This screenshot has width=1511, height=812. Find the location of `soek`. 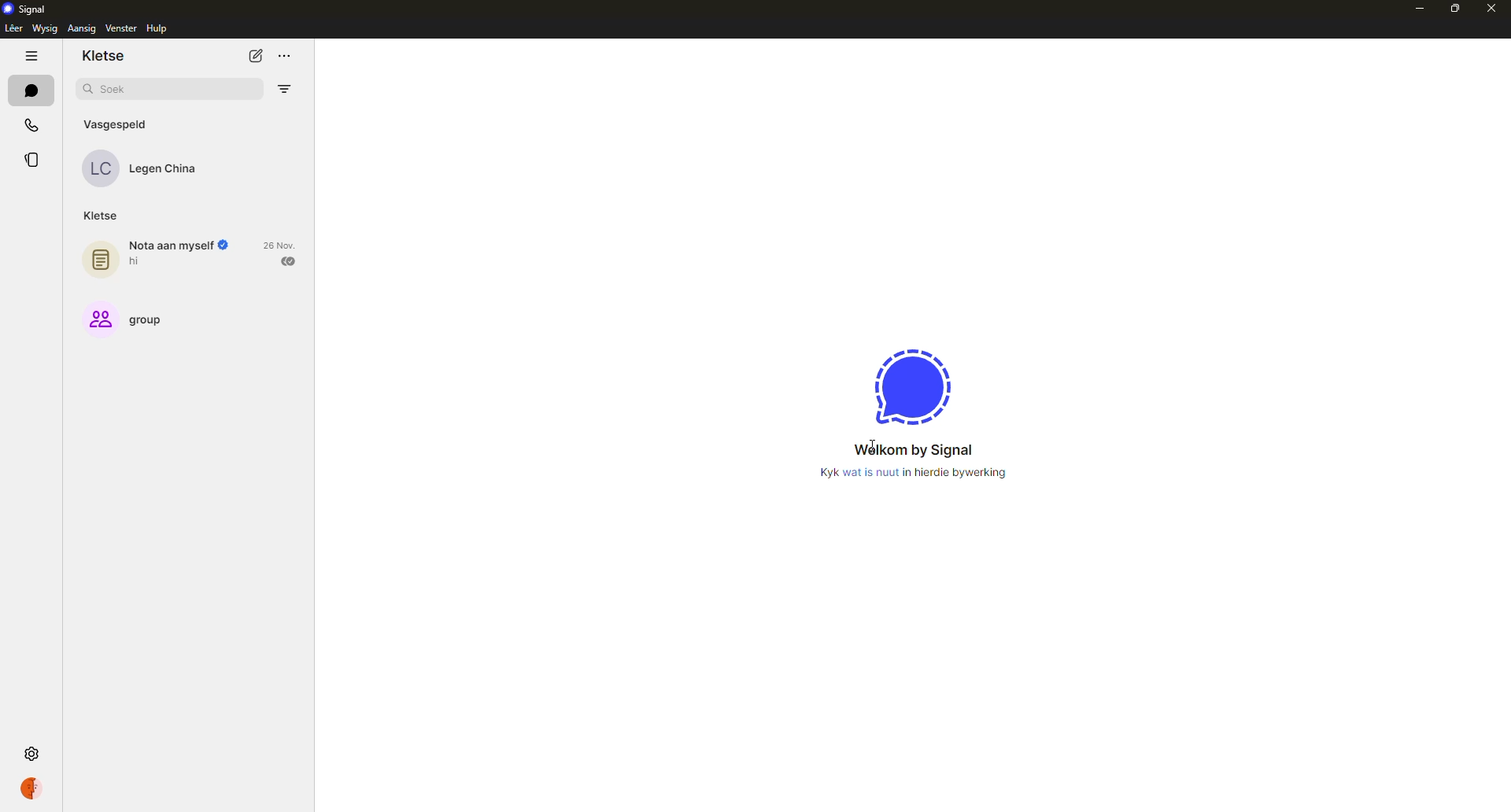

soek is located at coordinates (116, 90).